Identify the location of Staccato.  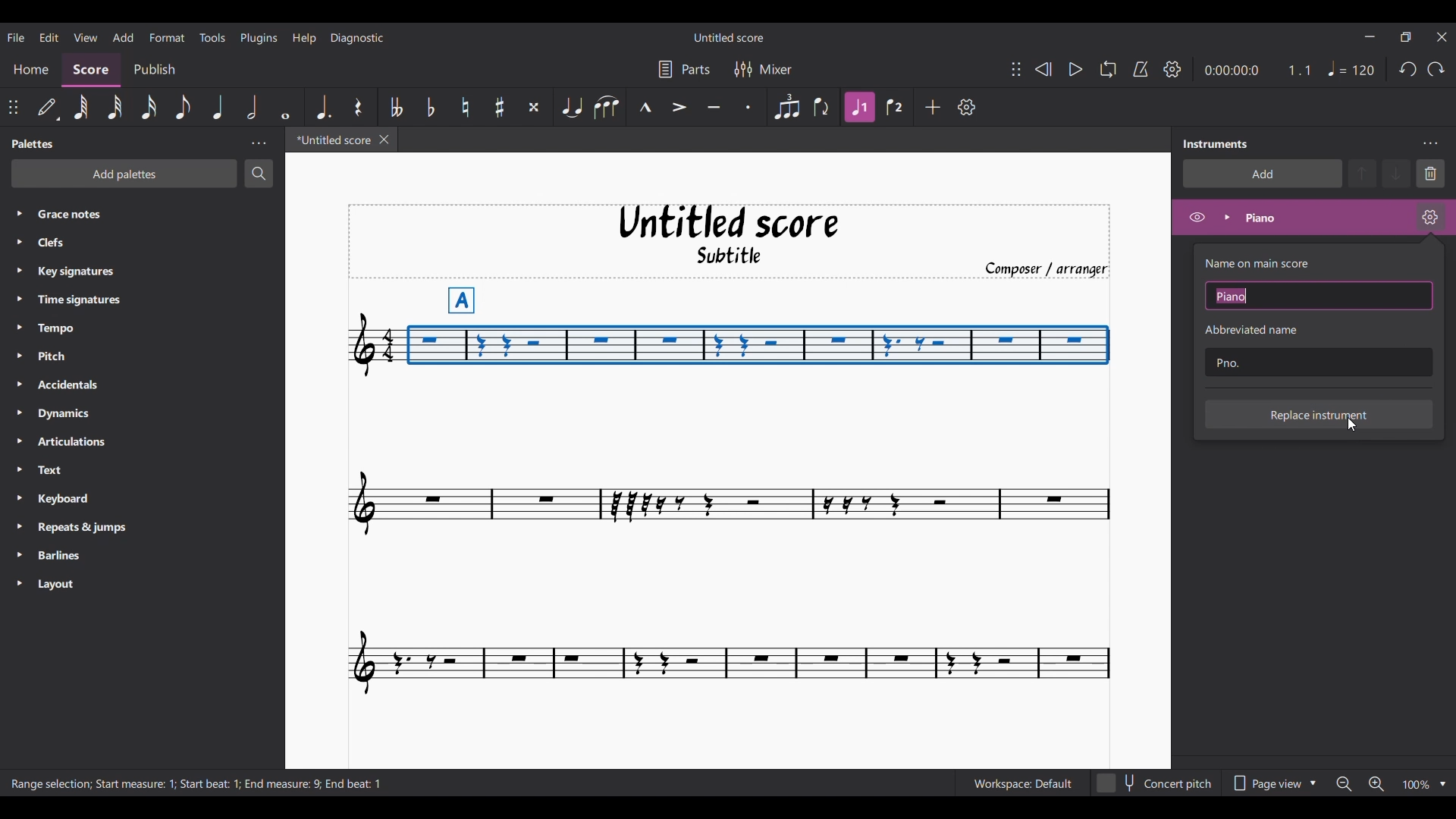
(747, 107).